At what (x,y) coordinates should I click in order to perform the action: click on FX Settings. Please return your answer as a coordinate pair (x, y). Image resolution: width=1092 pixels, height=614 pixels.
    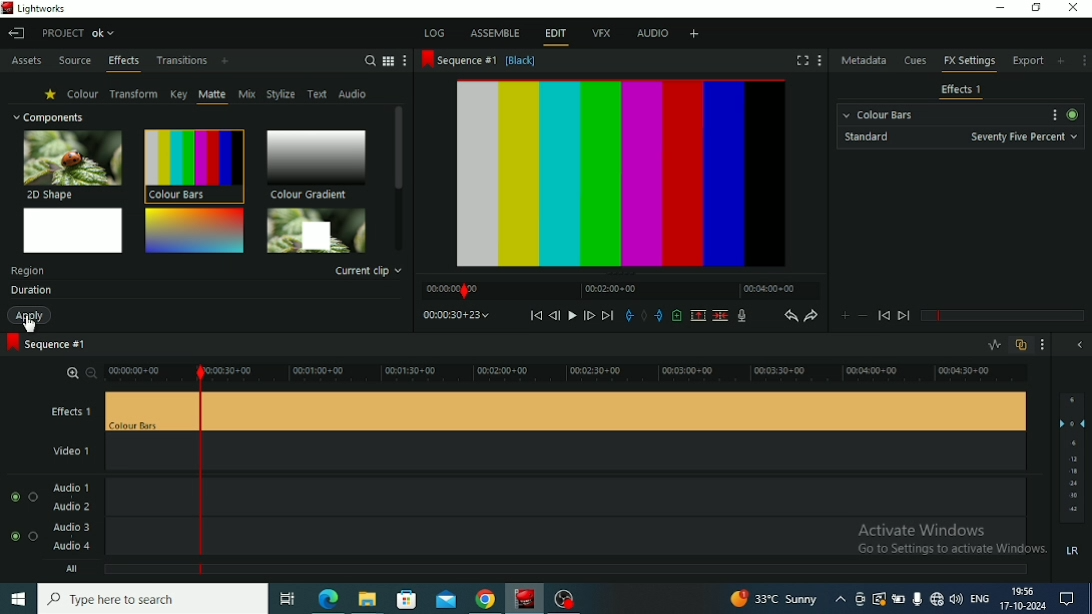
    Looking at the image, I should click on (969, 63).